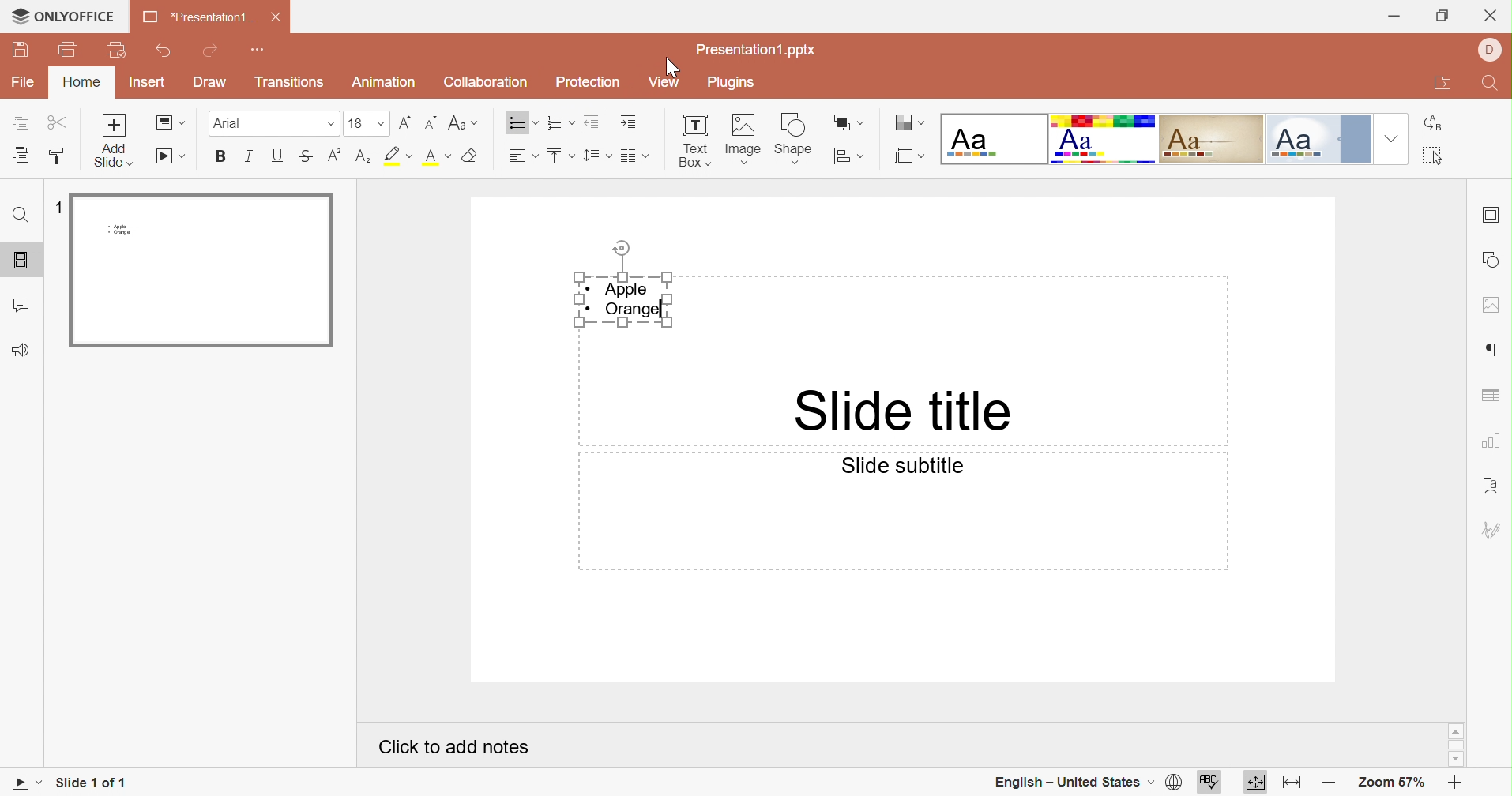 This screenshot has height=796, width=1512. What do you see at coordinates (18, 217) in the screenshot?
I see `Find` at bounding box center [18, 217].